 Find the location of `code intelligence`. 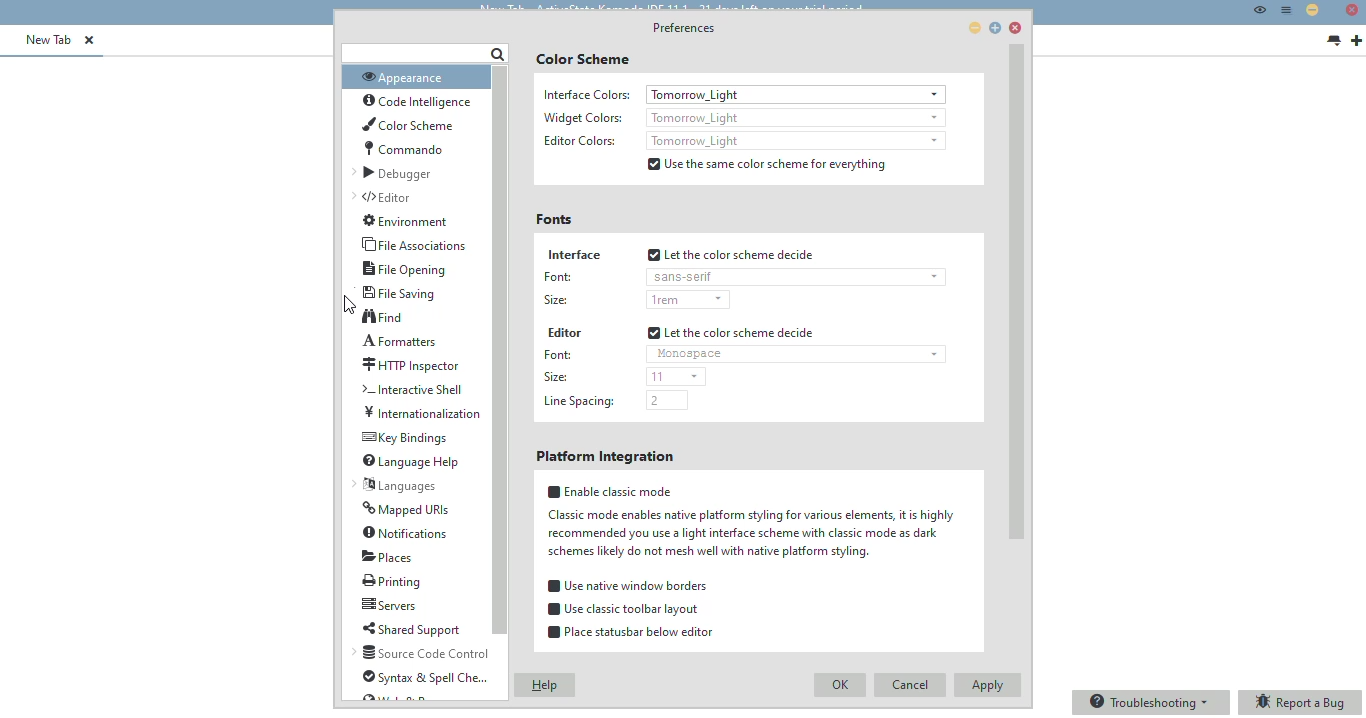

code intelligence is located at coordinates (414, 102).